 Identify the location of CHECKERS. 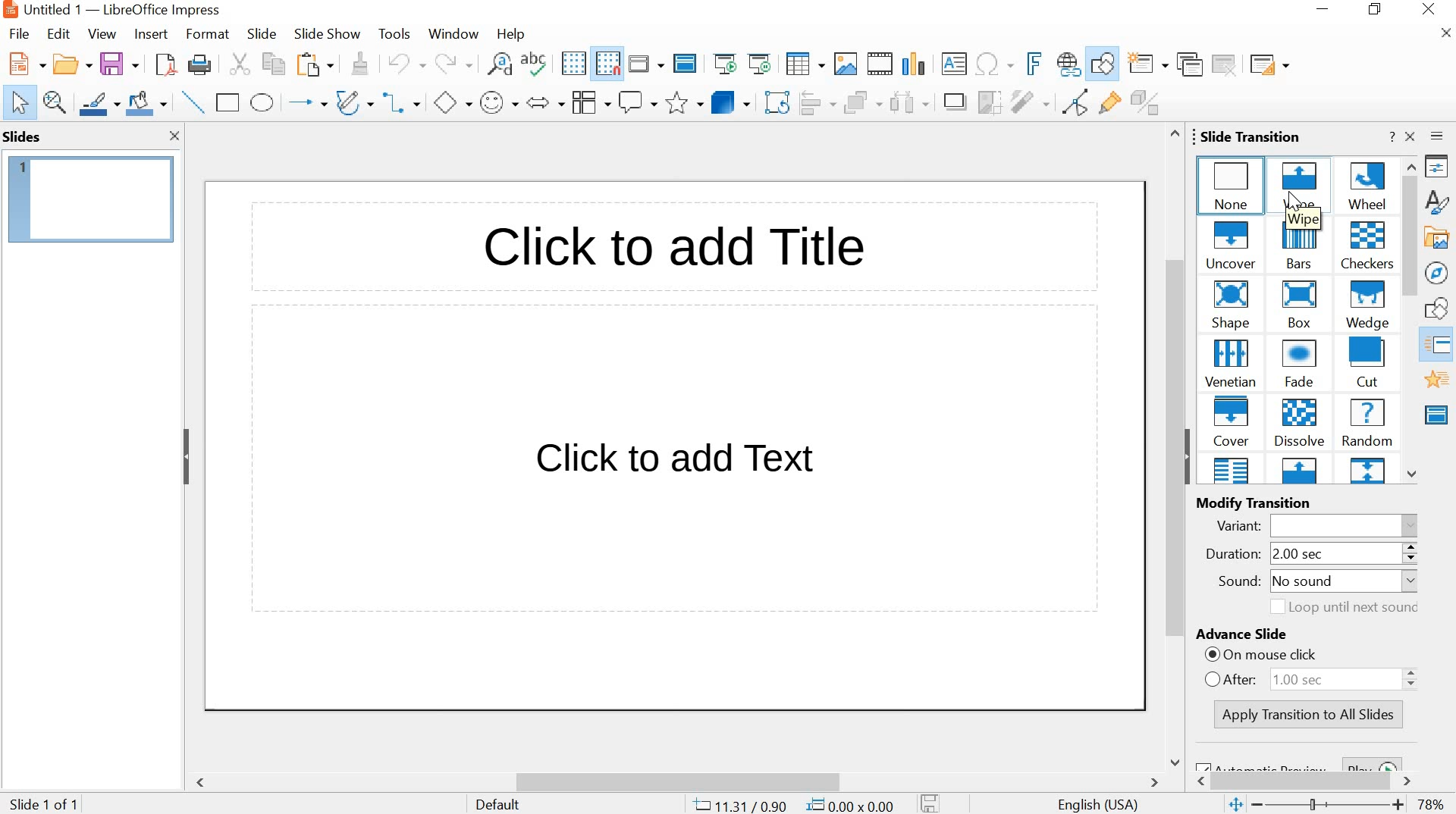
(1368, 247).